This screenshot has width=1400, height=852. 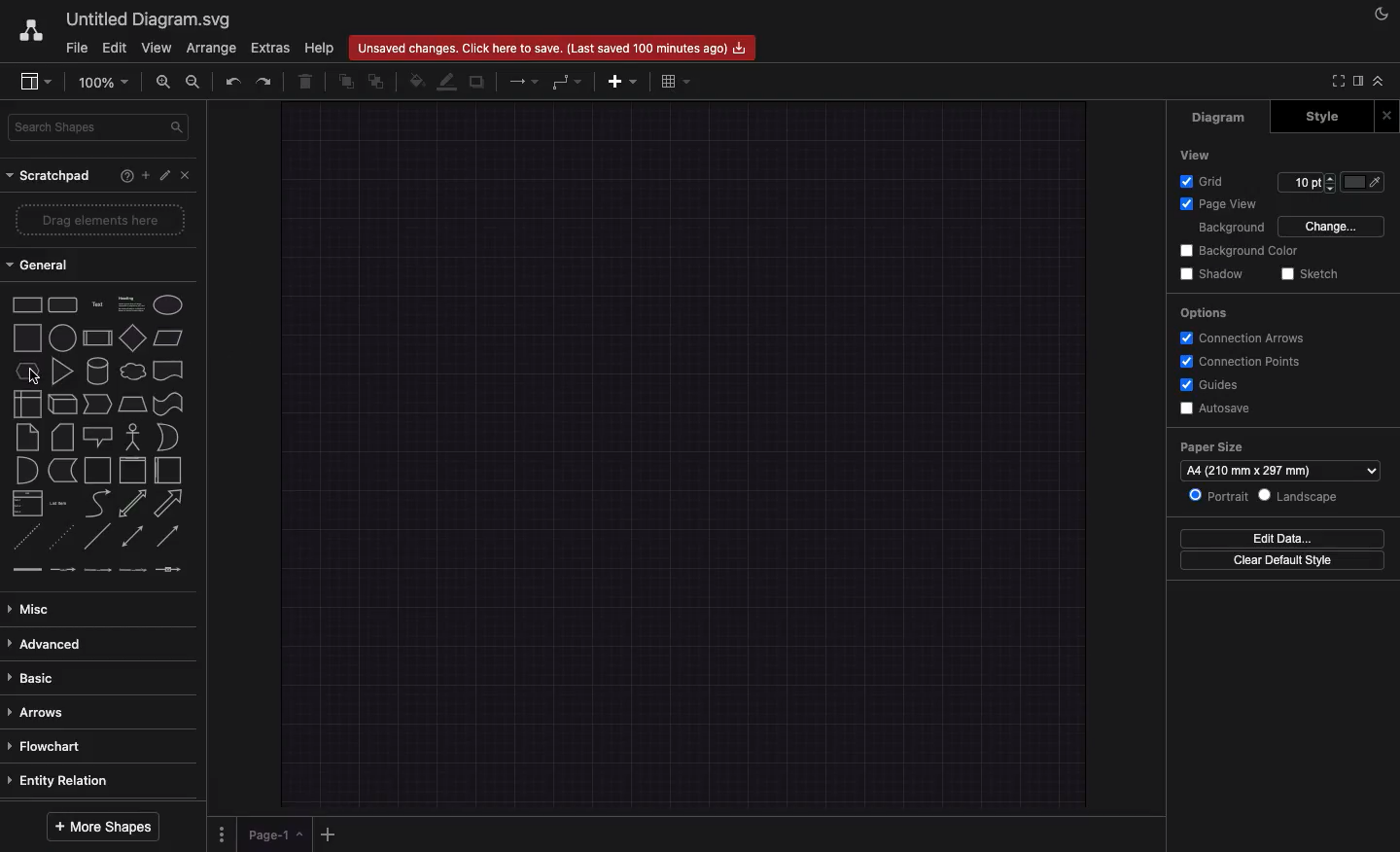 What do you see at coordinates (157, 49) in the screenshot?
I see `View` at bounding box center [157, 49].